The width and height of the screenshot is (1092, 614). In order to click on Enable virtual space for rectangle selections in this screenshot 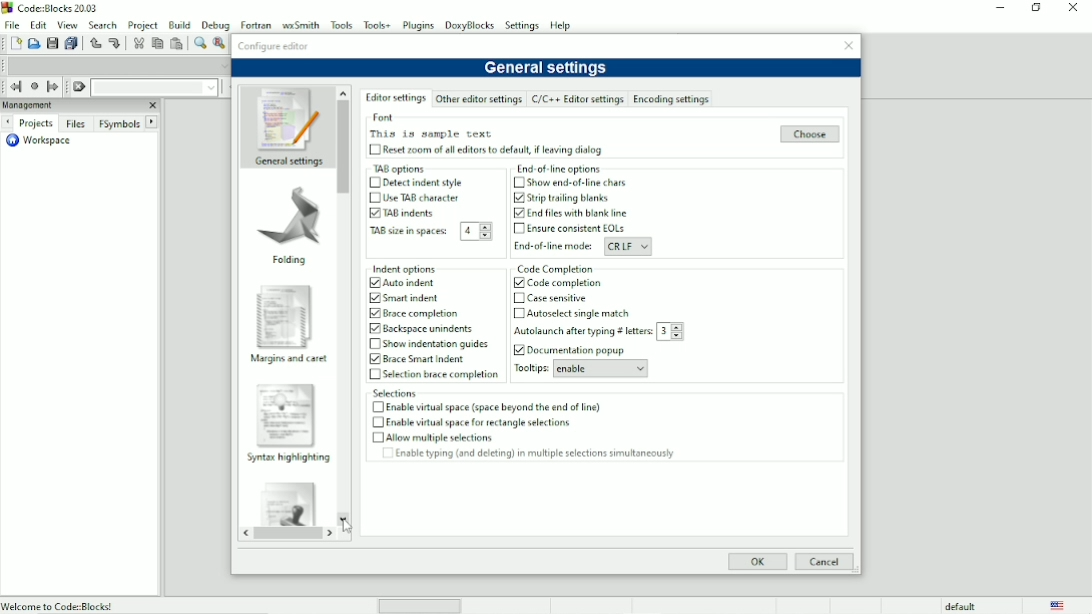, I will do `click(484, 421)`.